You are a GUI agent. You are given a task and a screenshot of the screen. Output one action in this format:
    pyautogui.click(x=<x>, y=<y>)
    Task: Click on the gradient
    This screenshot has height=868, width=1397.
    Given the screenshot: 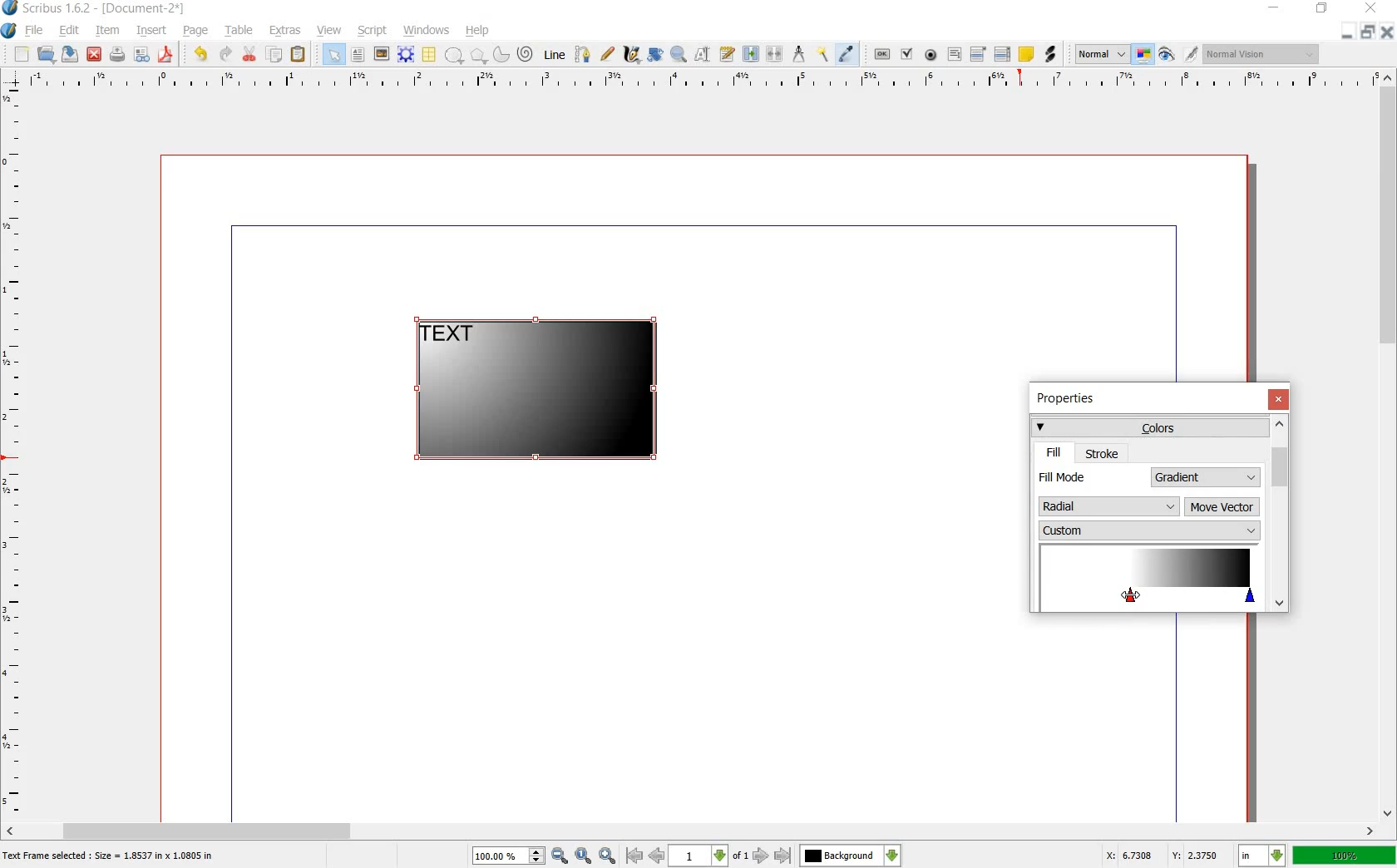 What is the action you would take?
    pyautogui.click(x=1207, y=477)
    